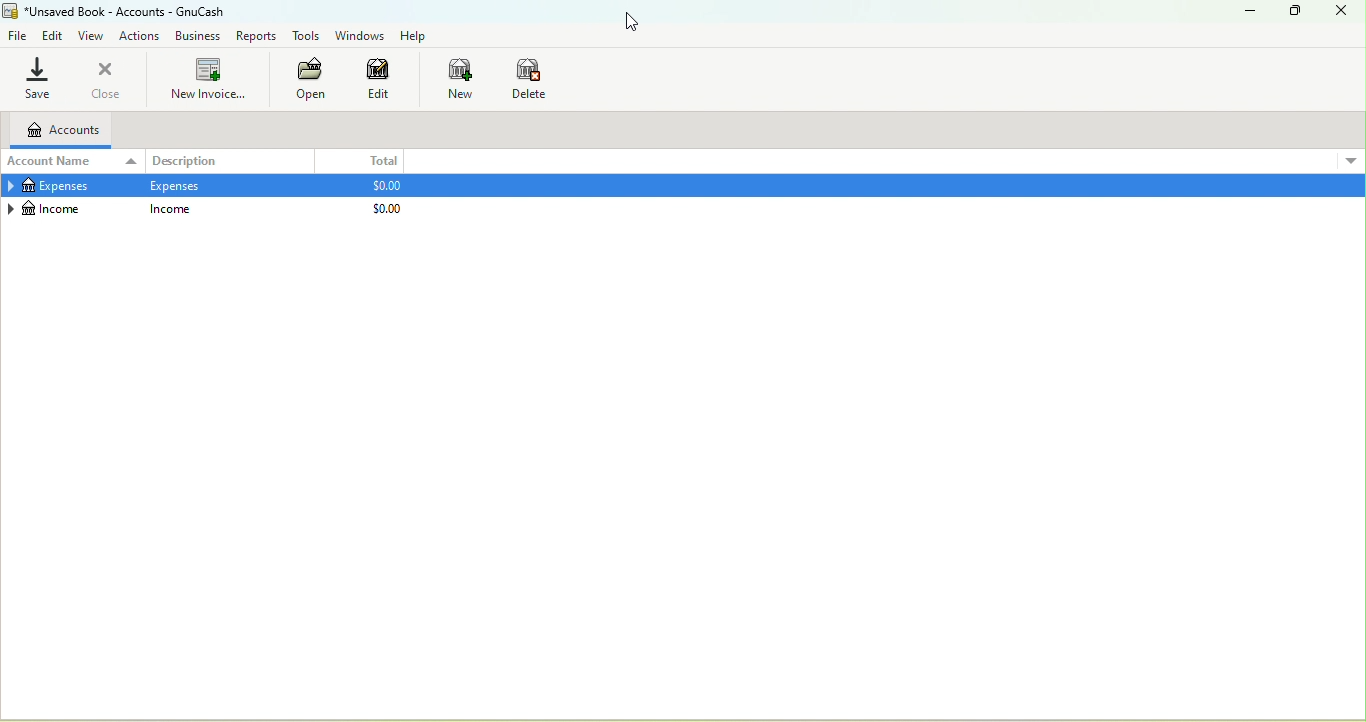  I want to click on Description, so click(230, 160).